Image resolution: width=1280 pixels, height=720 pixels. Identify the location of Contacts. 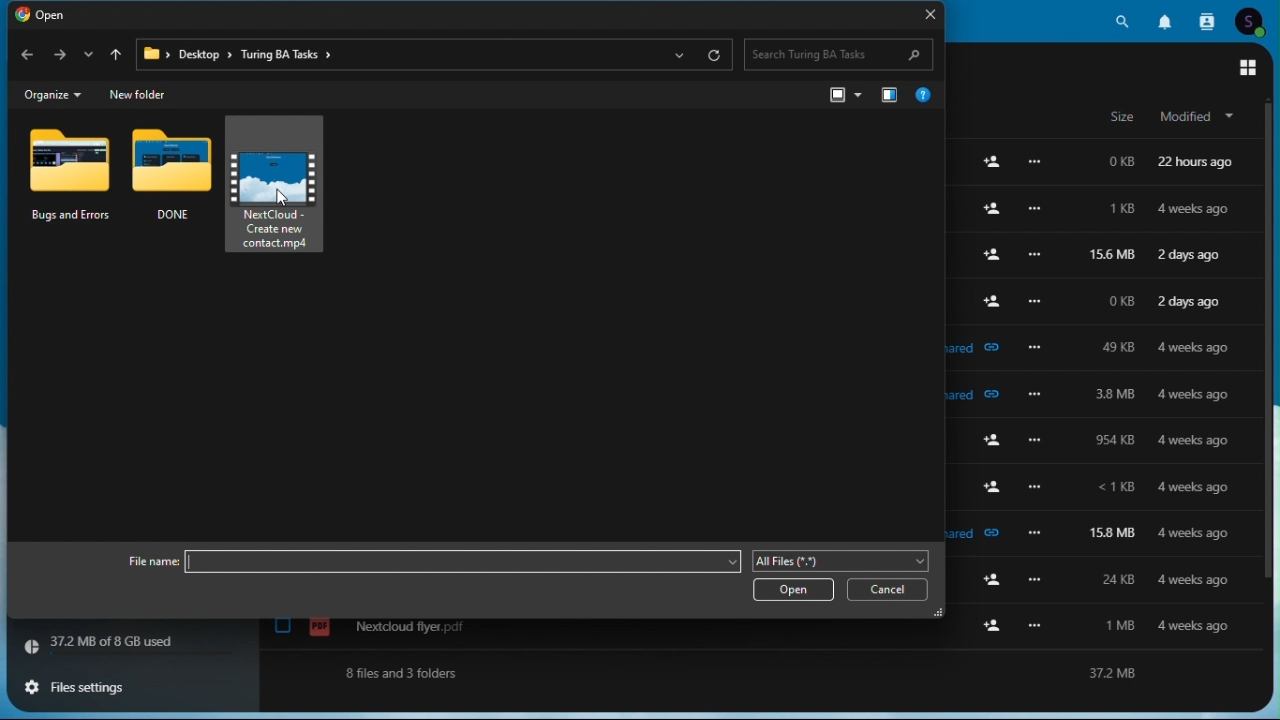
(1205, 20).